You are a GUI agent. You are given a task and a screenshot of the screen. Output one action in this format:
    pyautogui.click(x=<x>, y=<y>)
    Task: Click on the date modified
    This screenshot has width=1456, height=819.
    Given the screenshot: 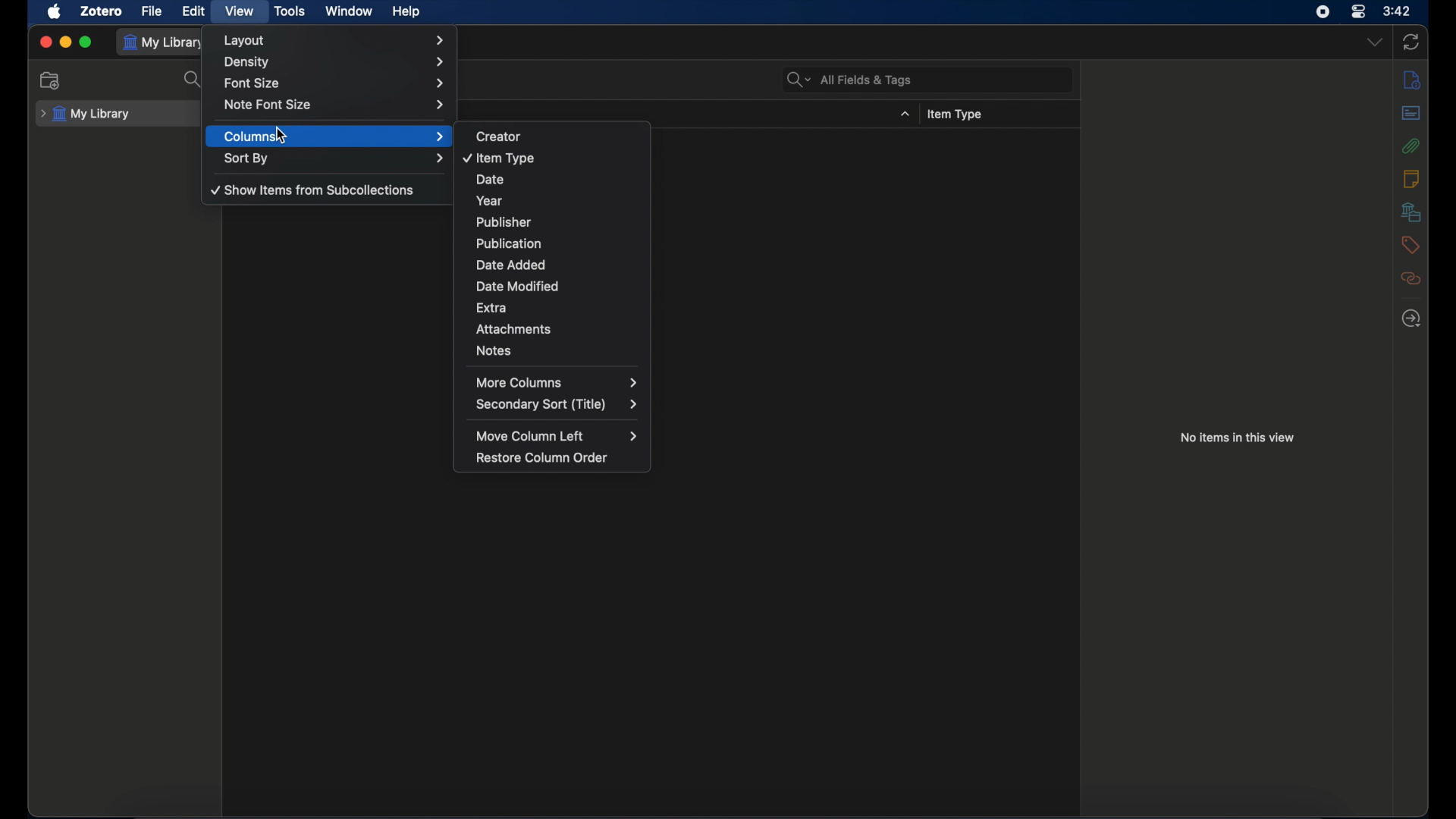 What is the action you would take?
    pyautogui.click(x=559, y=285)
    